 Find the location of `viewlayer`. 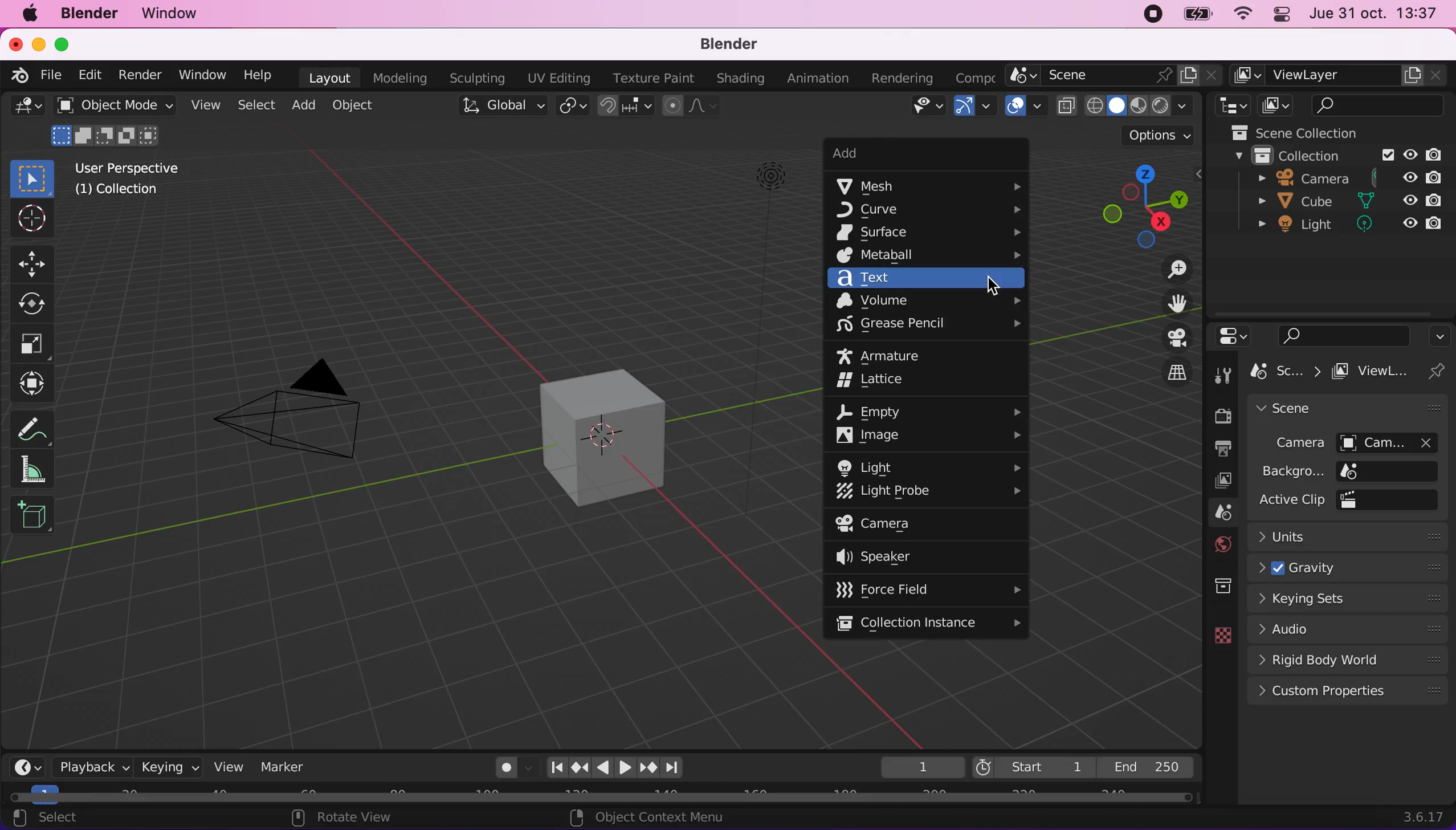

viewlayer is located at coordinates (1375, 370).